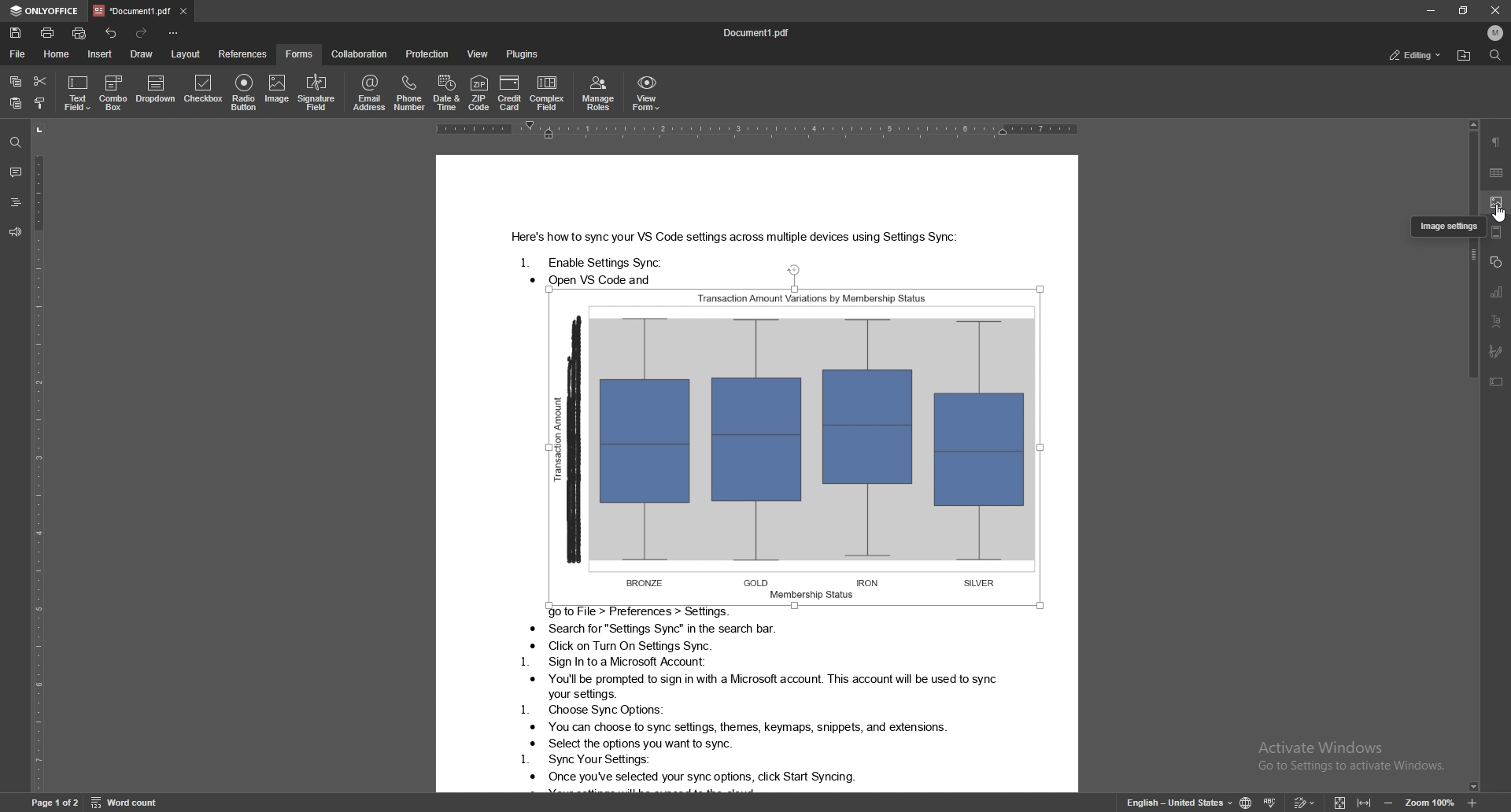 Image resolution: width=1511 pixels, height=812 pixels. What do you see at coordinates (409, 92) in the screenshot?
I see `phone number` at bounding box center [409, 92].